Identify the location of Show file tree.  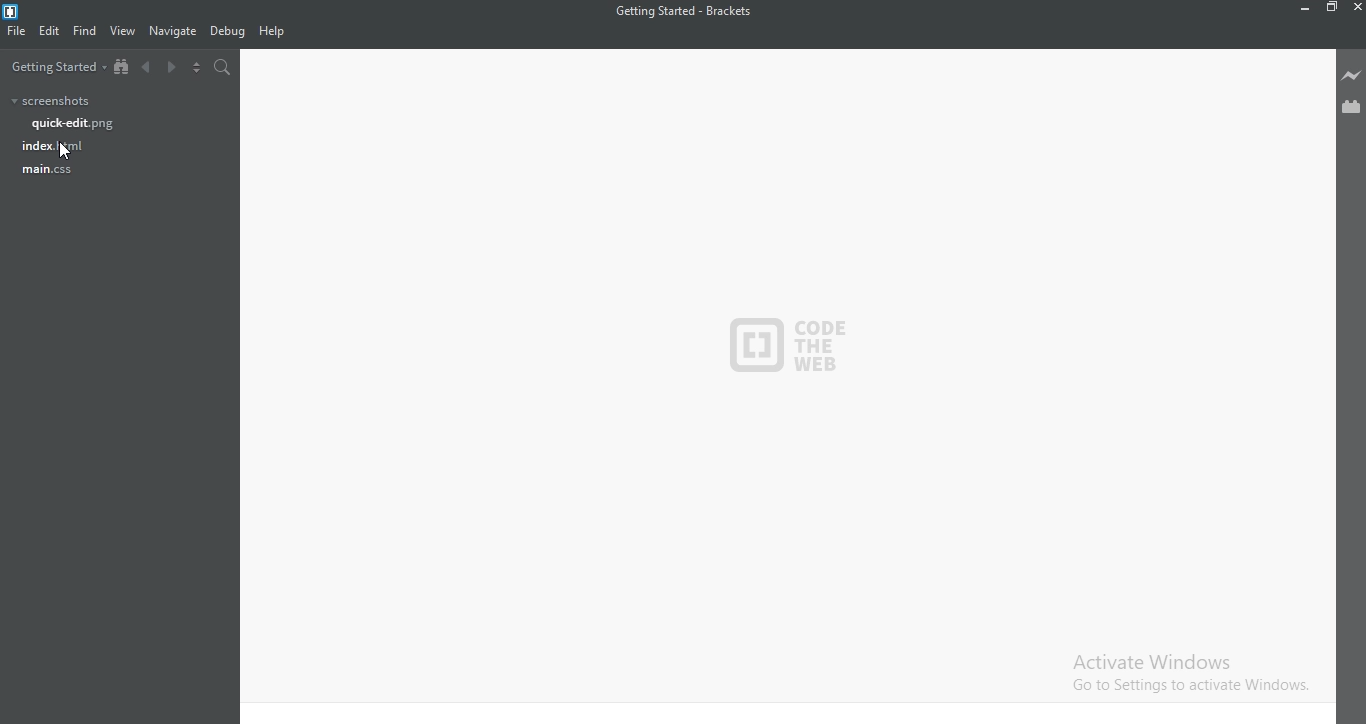
(123, 68).